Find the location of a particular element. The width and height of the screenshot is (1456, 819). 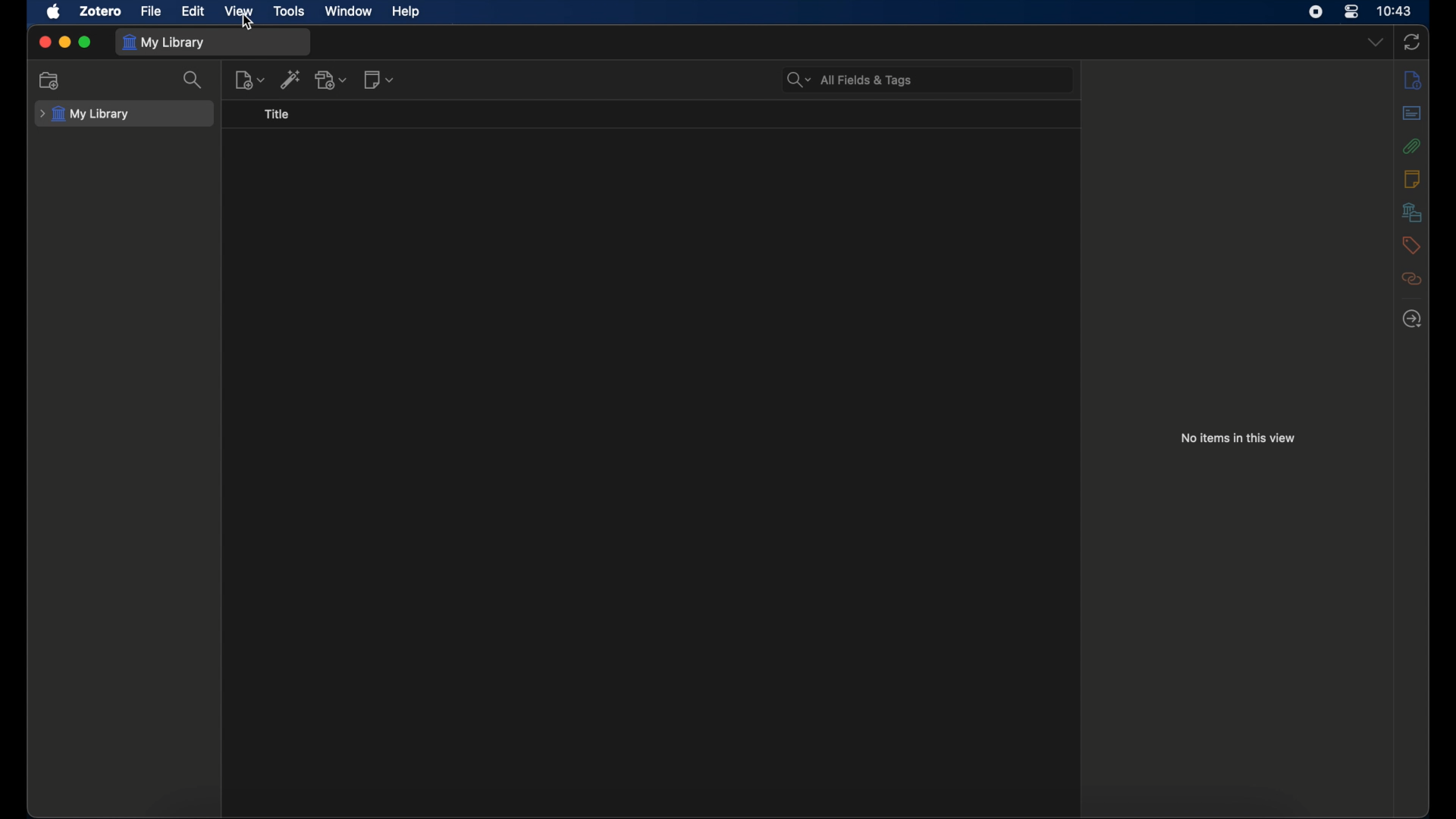

new notes is located at coordinates (378, 80).